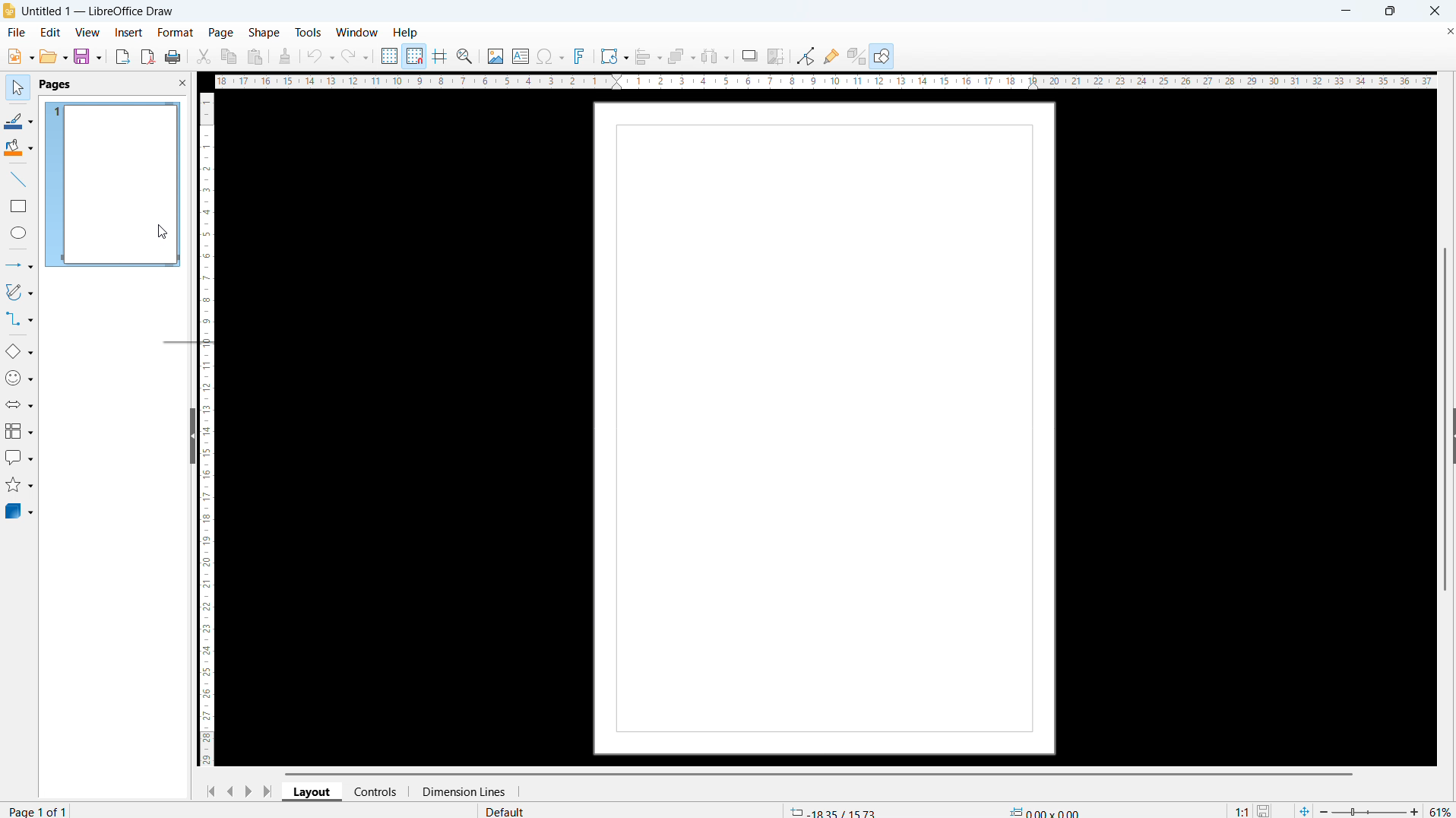 The image size is (1456, 818). Describe the element at coordinates (830, 55) in the screenshot. I see `show gluepoint functions` at that location.